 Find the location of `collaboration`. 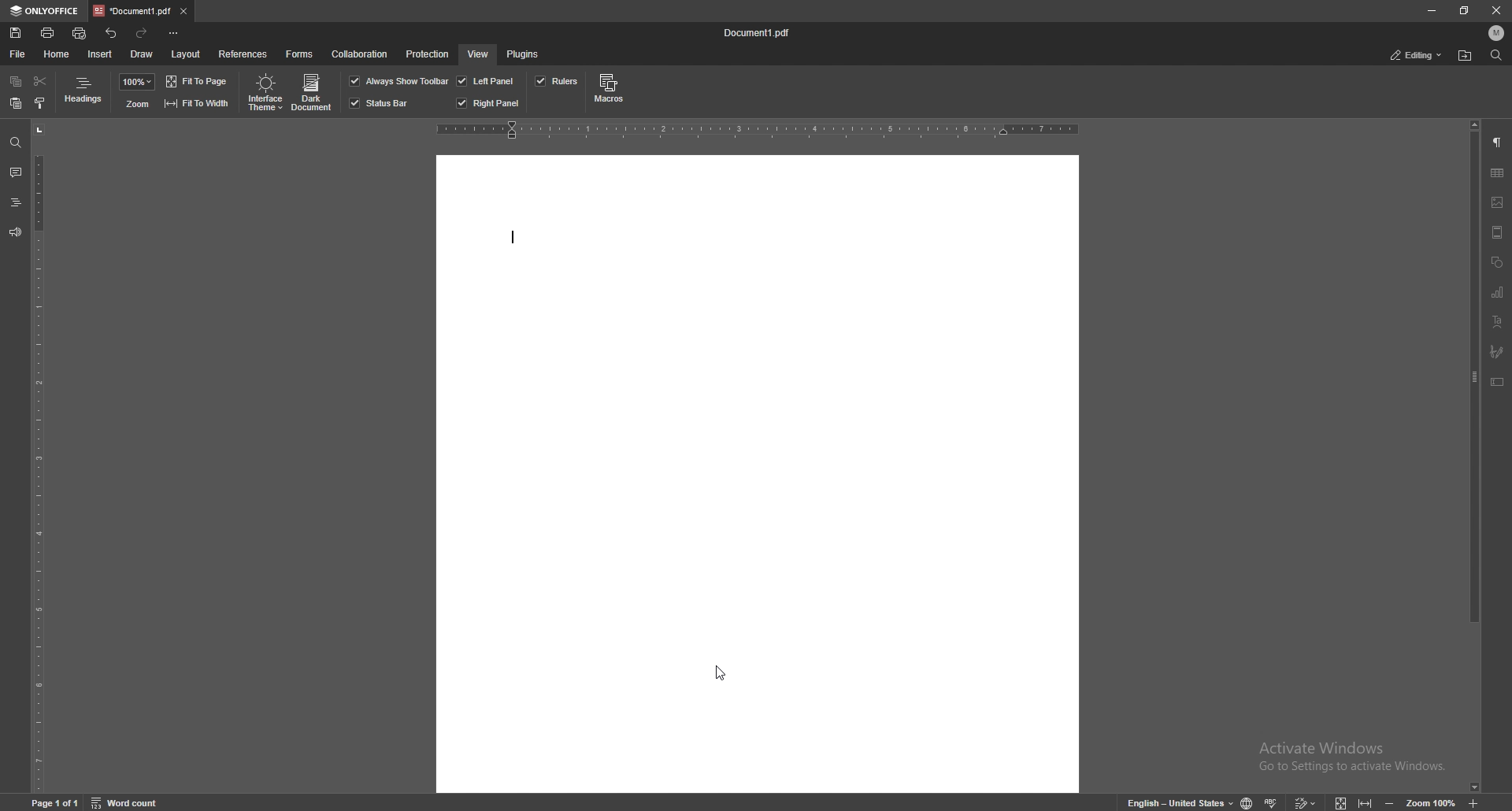

collaboration is located at coordinates (362, 55).